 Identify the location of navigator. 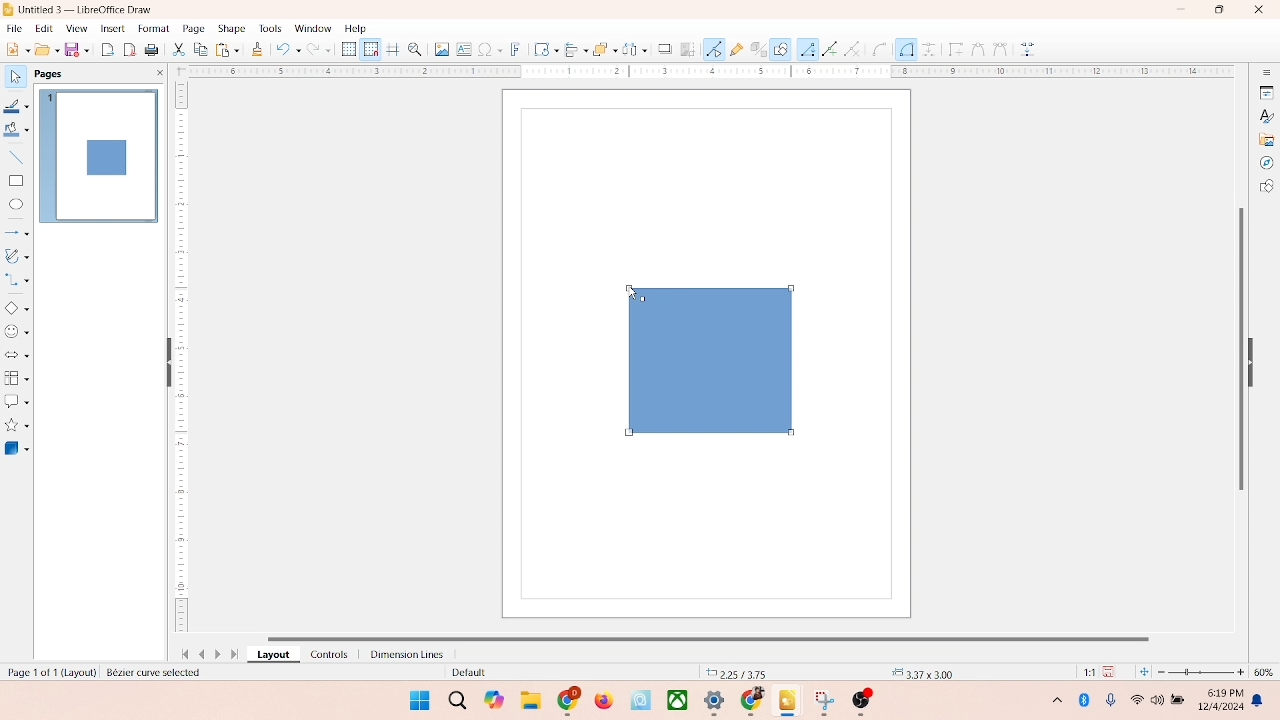
(1266, 163).